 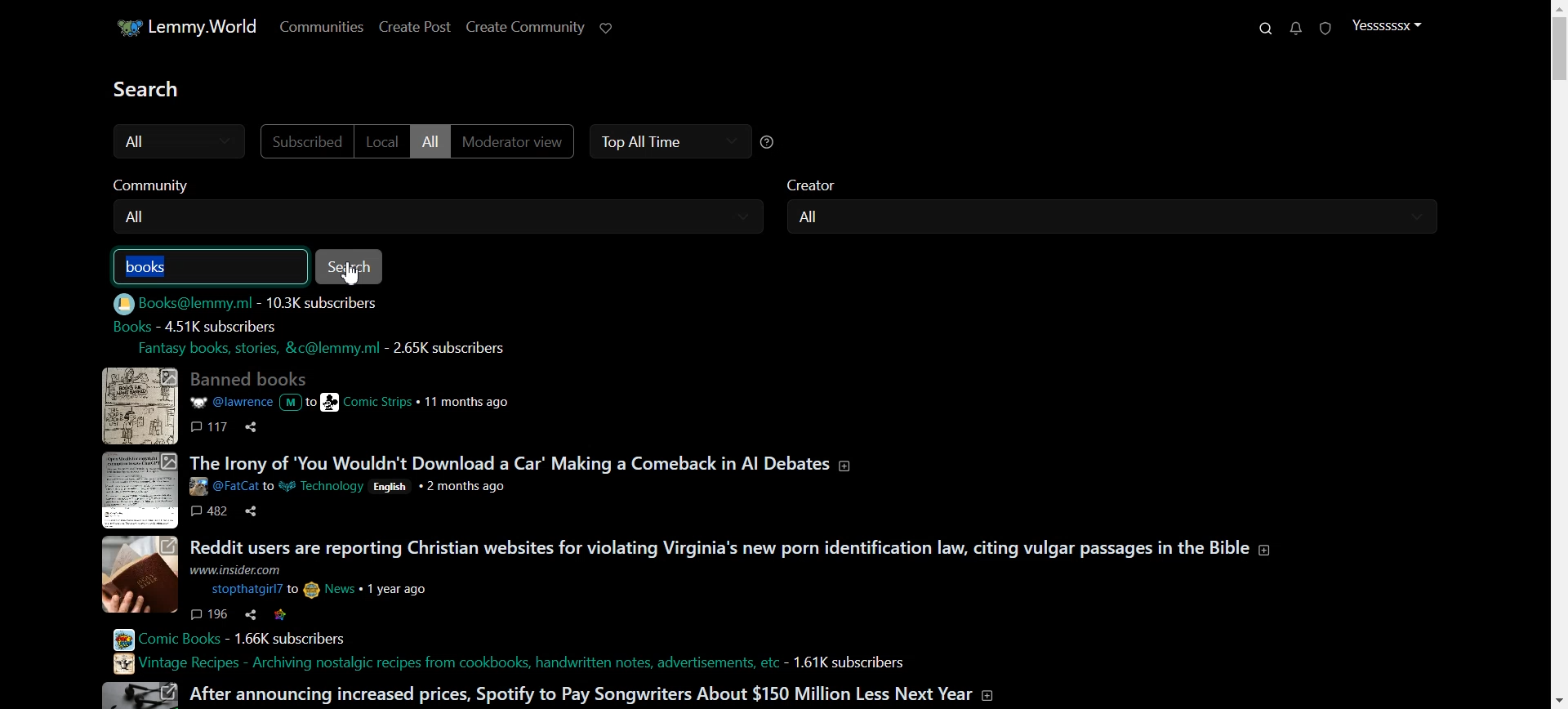 I want to click on Creator, so click(x=1123, y=216).